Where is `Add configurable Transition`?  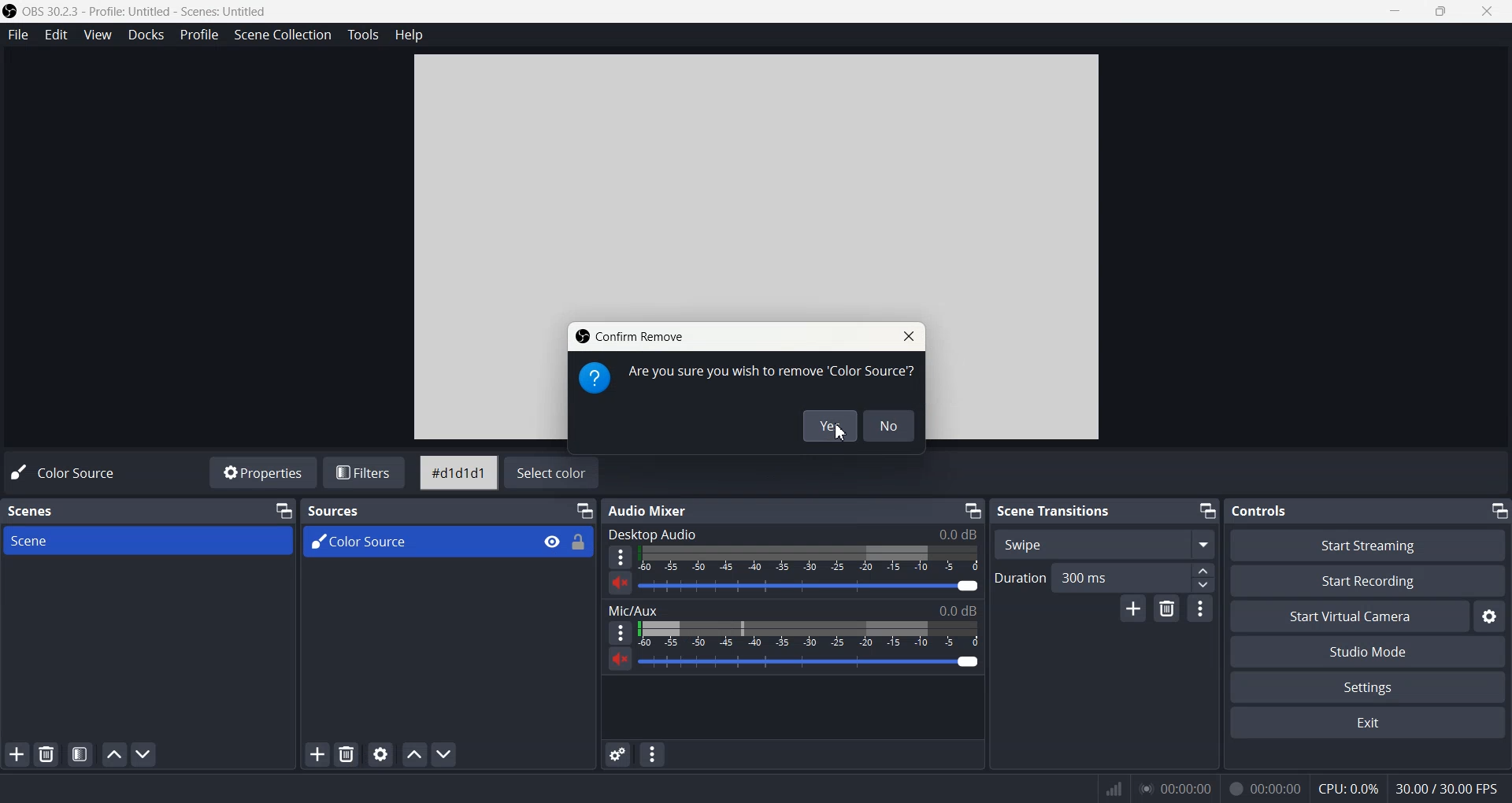 Add configurable Transition is located at coordinates (1132, 609).